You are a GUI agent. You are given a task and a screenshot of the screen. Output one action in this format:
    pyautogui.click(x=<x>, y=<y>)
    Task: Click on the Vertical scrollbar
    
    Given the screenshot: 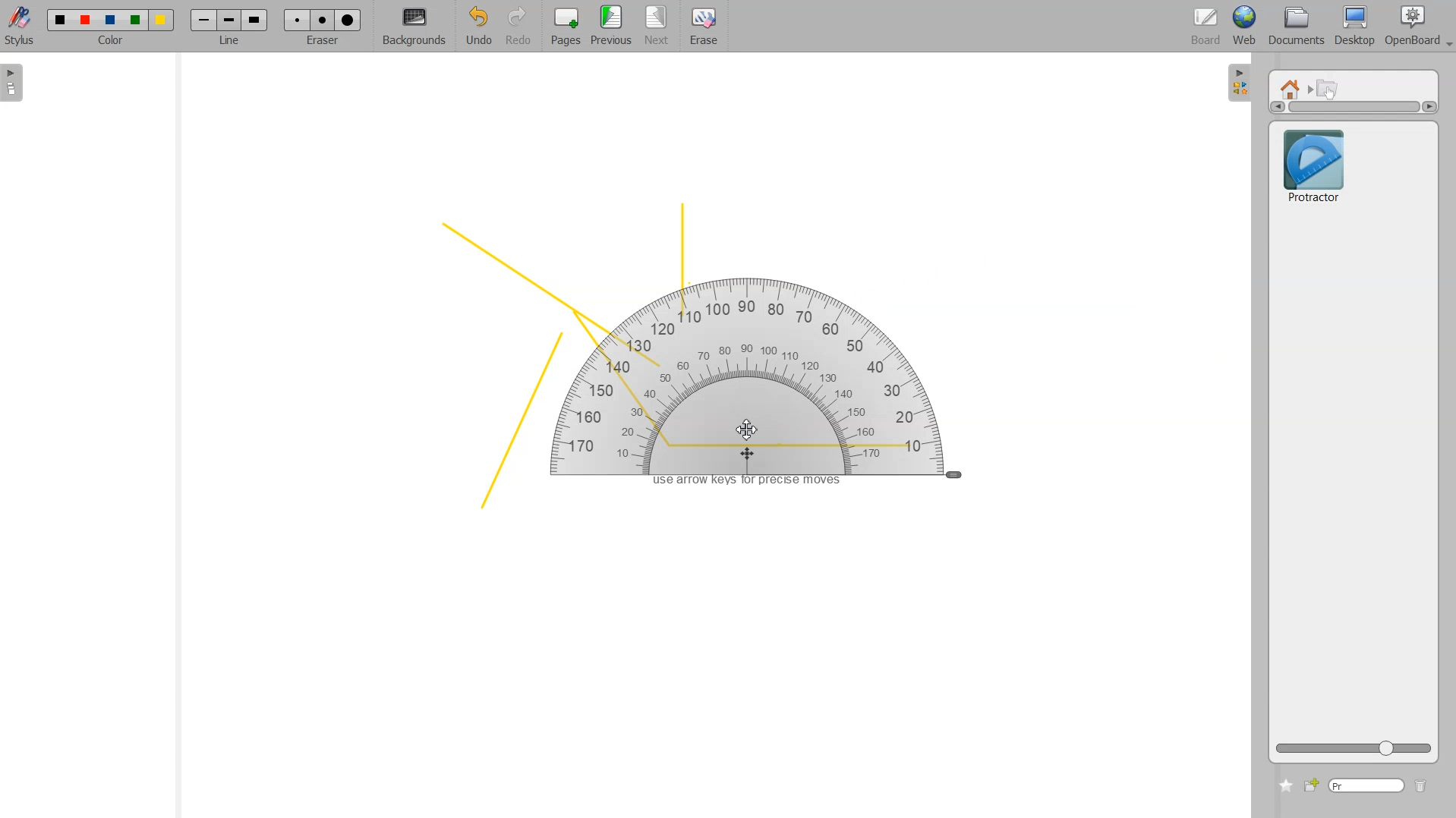 What is the action you would take?
    pyautogui.click(x=1354, y=107)
    